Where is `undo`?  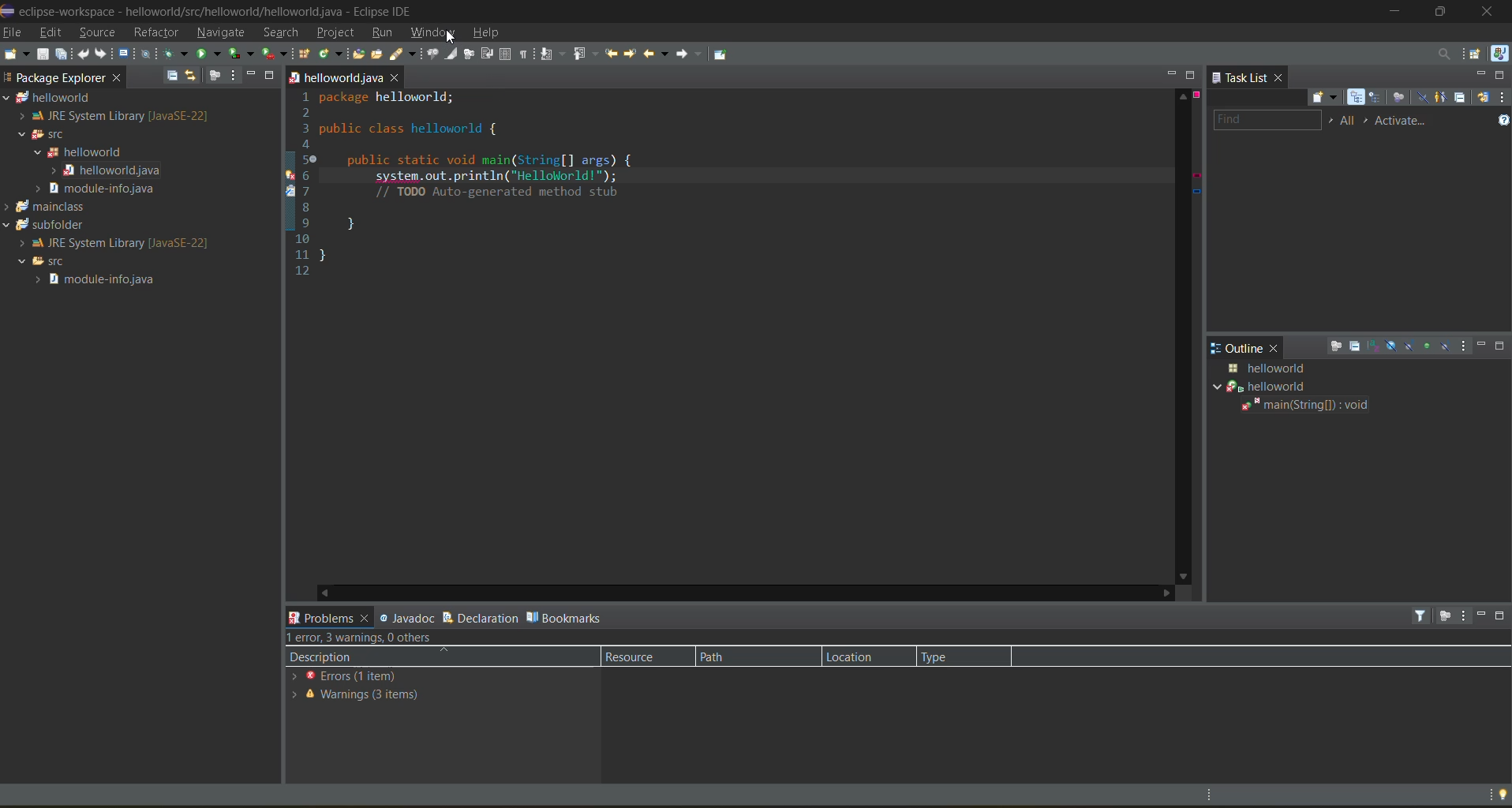 undo is located at coordinates (82, 56).